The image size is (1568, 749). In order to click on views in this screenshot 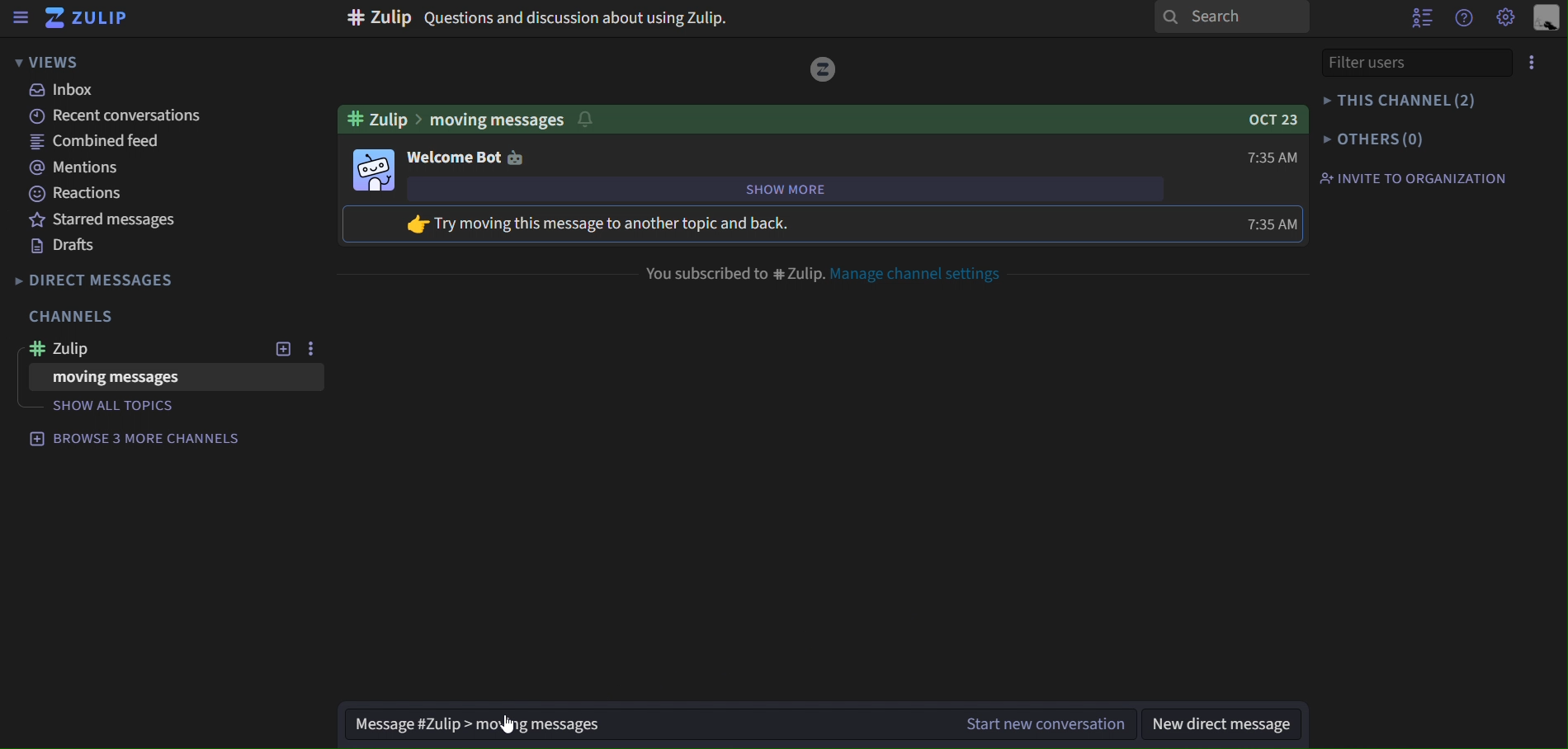, I will do `click(51, 60)`.